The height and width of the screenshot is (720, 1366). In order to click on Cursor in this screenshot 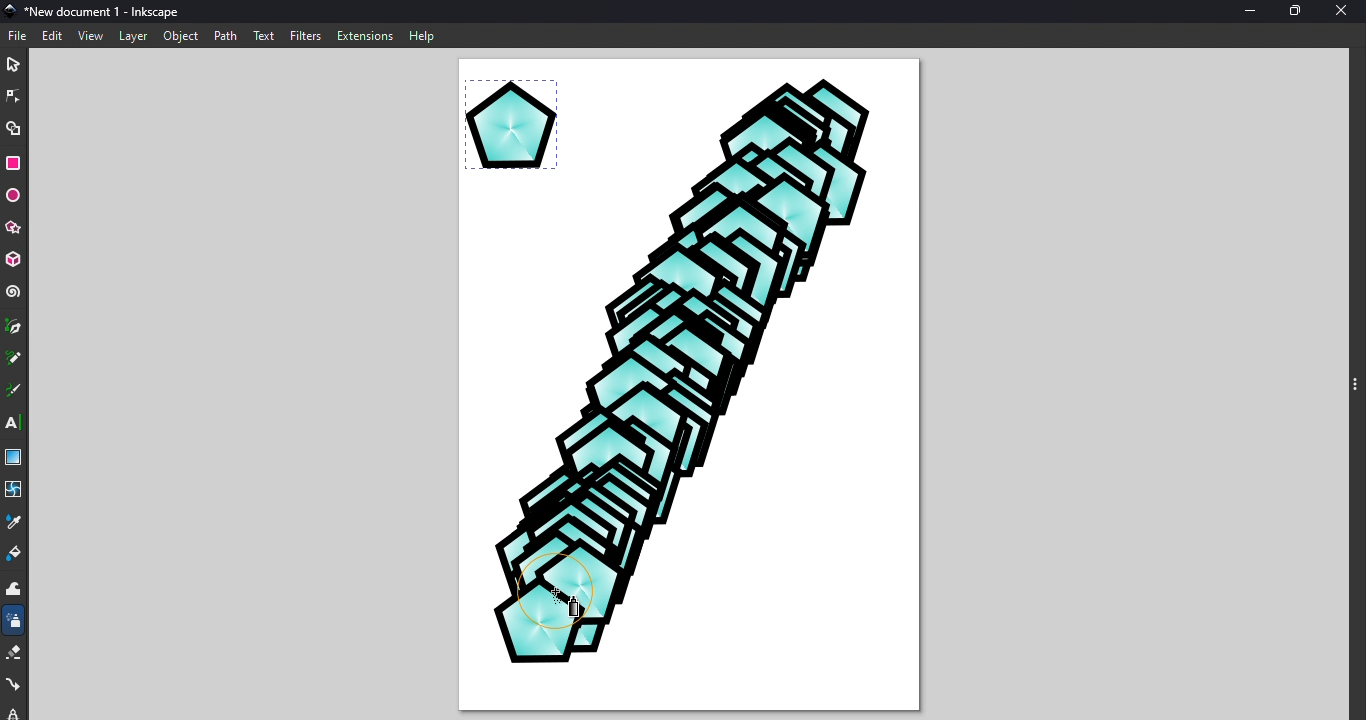, I will do `click(570, 610)`.